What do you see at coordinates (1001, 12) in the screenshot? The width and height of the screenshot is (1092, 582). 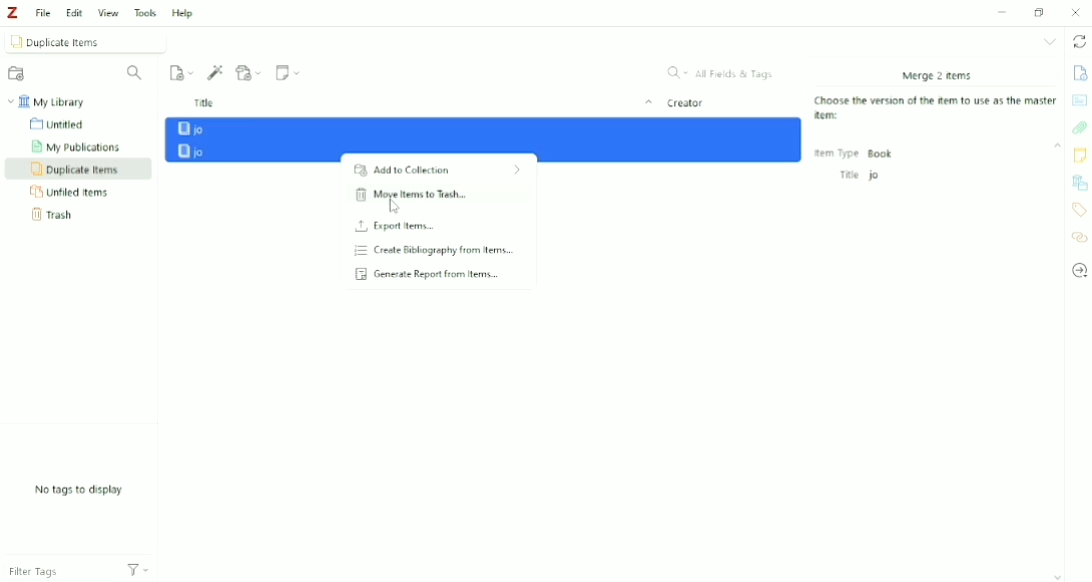 I see `Minimize` at bounding box center [1001, 12].